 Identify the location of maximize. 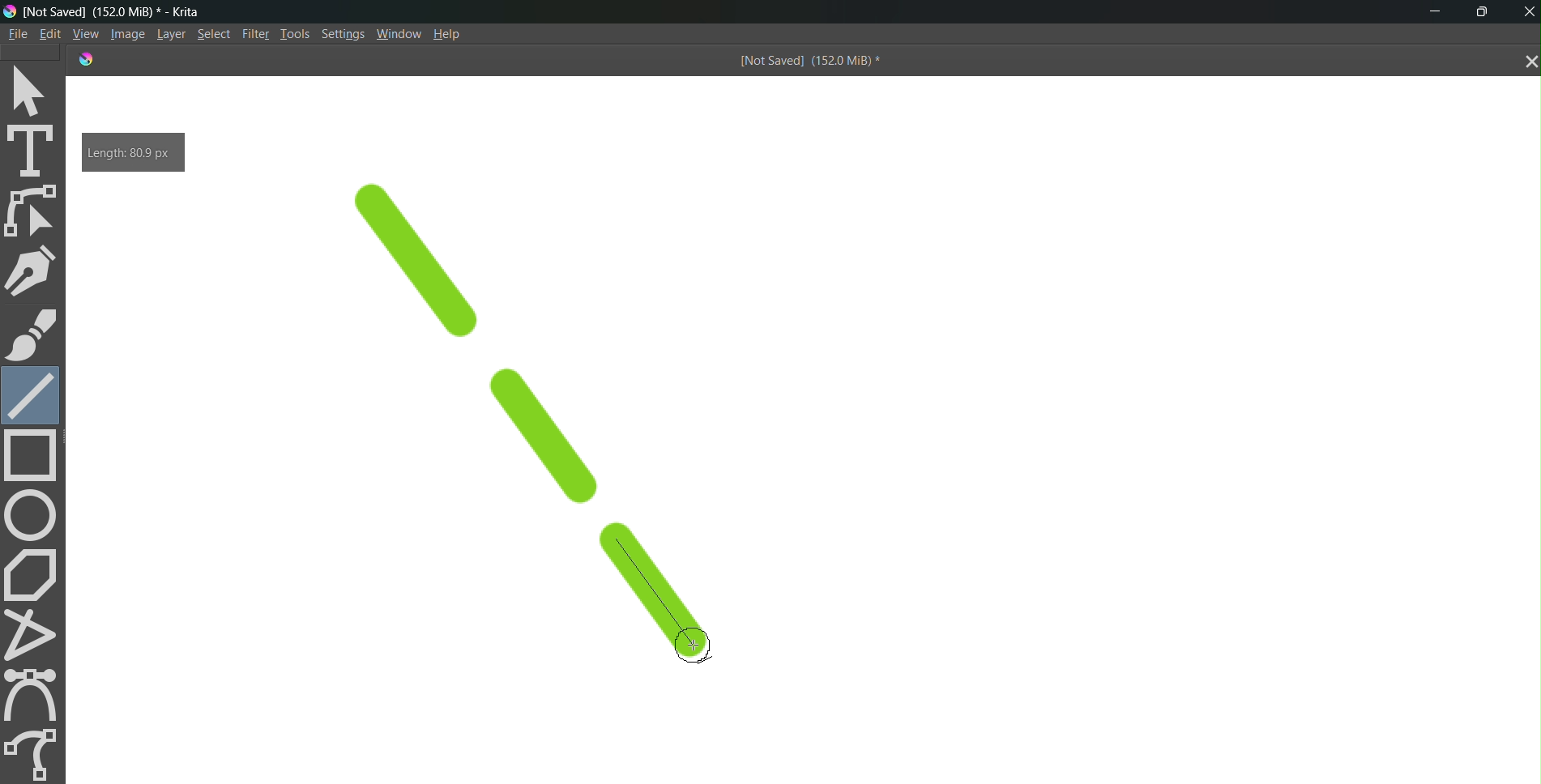
(1487, 10).